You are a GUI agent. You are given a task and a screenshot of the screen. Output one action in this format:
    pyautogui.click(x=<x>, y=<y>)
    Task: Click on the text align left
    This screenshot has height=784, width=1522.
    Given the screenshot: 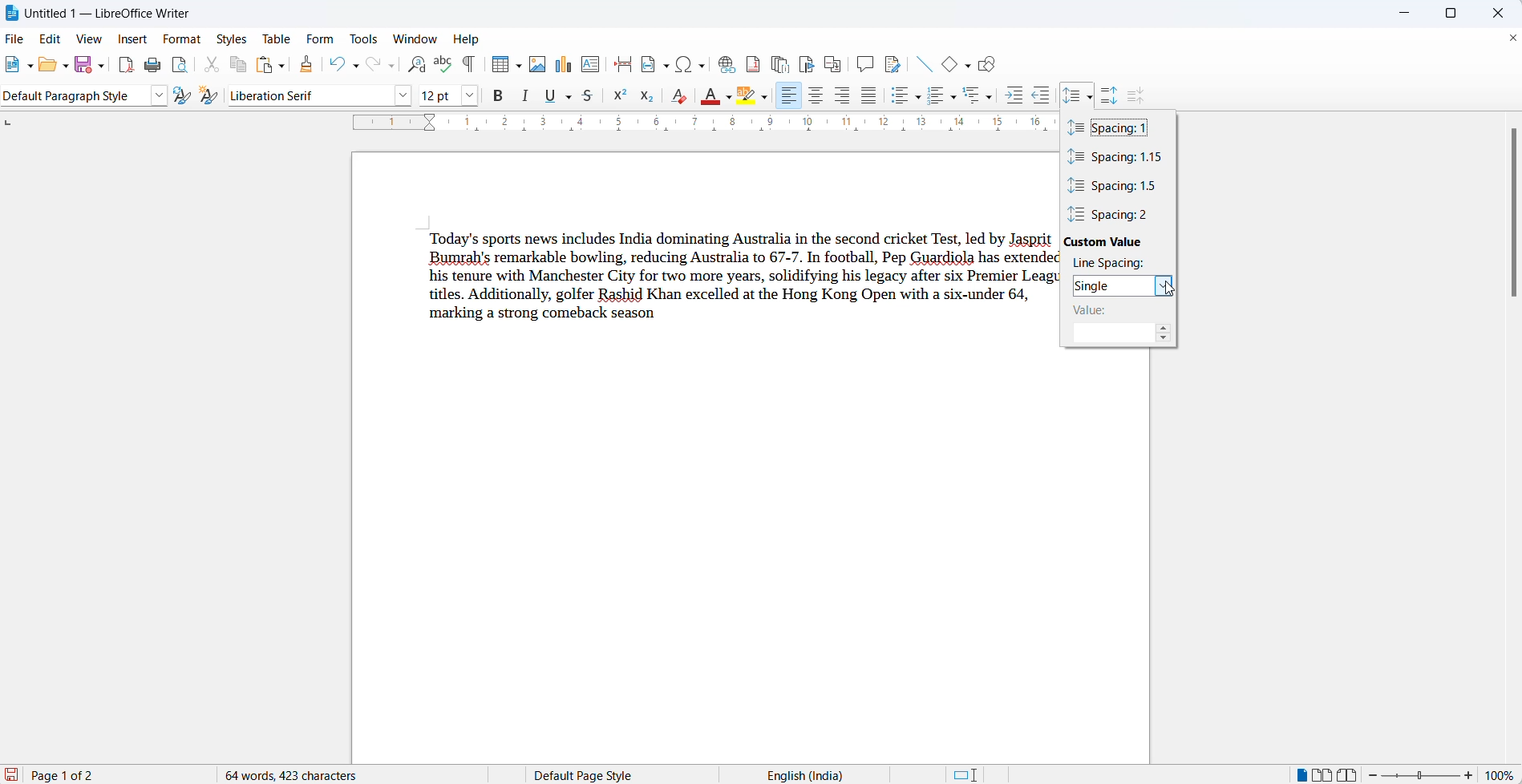 What is the action you would take?
    pyautogui.click(x=790, y=97)
    